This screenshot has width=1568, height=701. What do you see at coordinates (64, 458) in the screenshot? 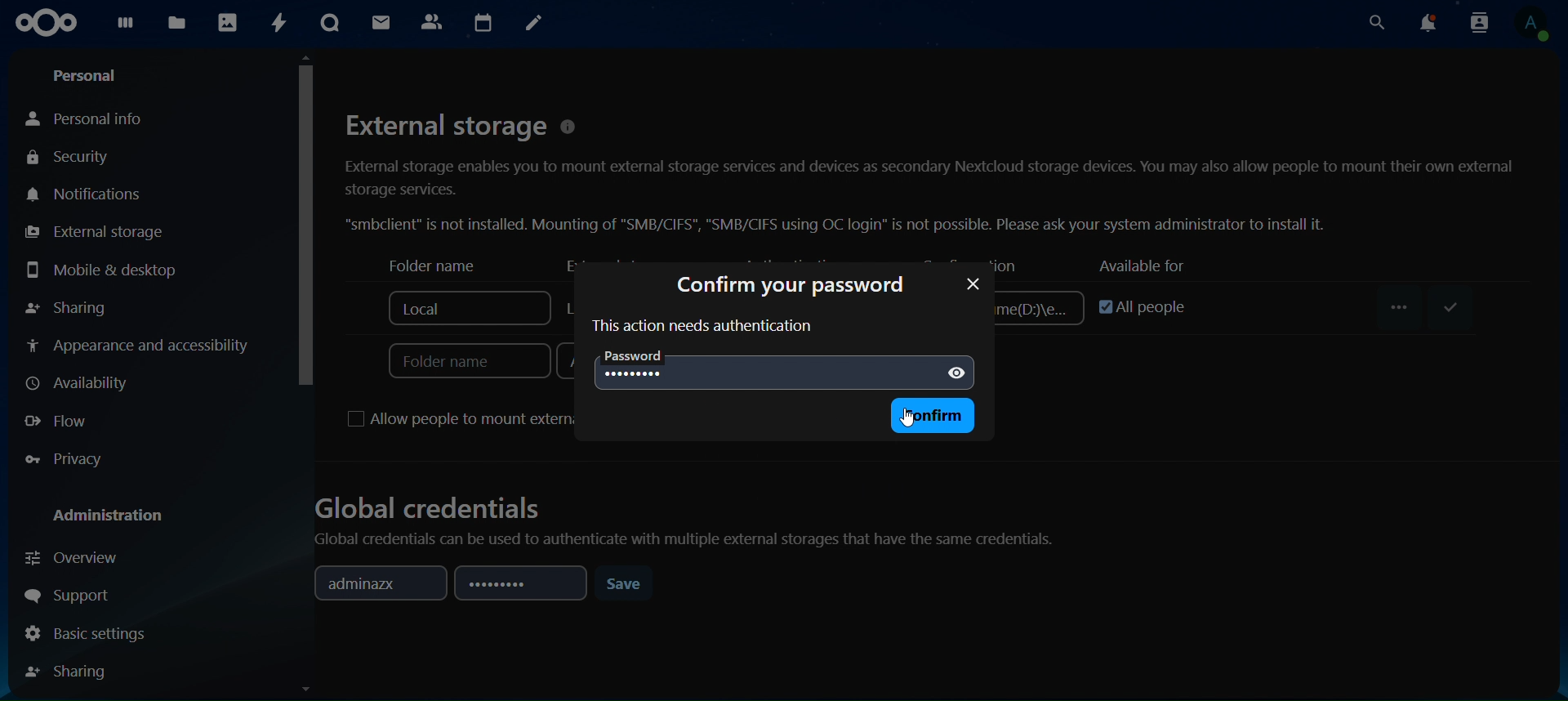
I see `privacy` at bounding box center [64, 458].